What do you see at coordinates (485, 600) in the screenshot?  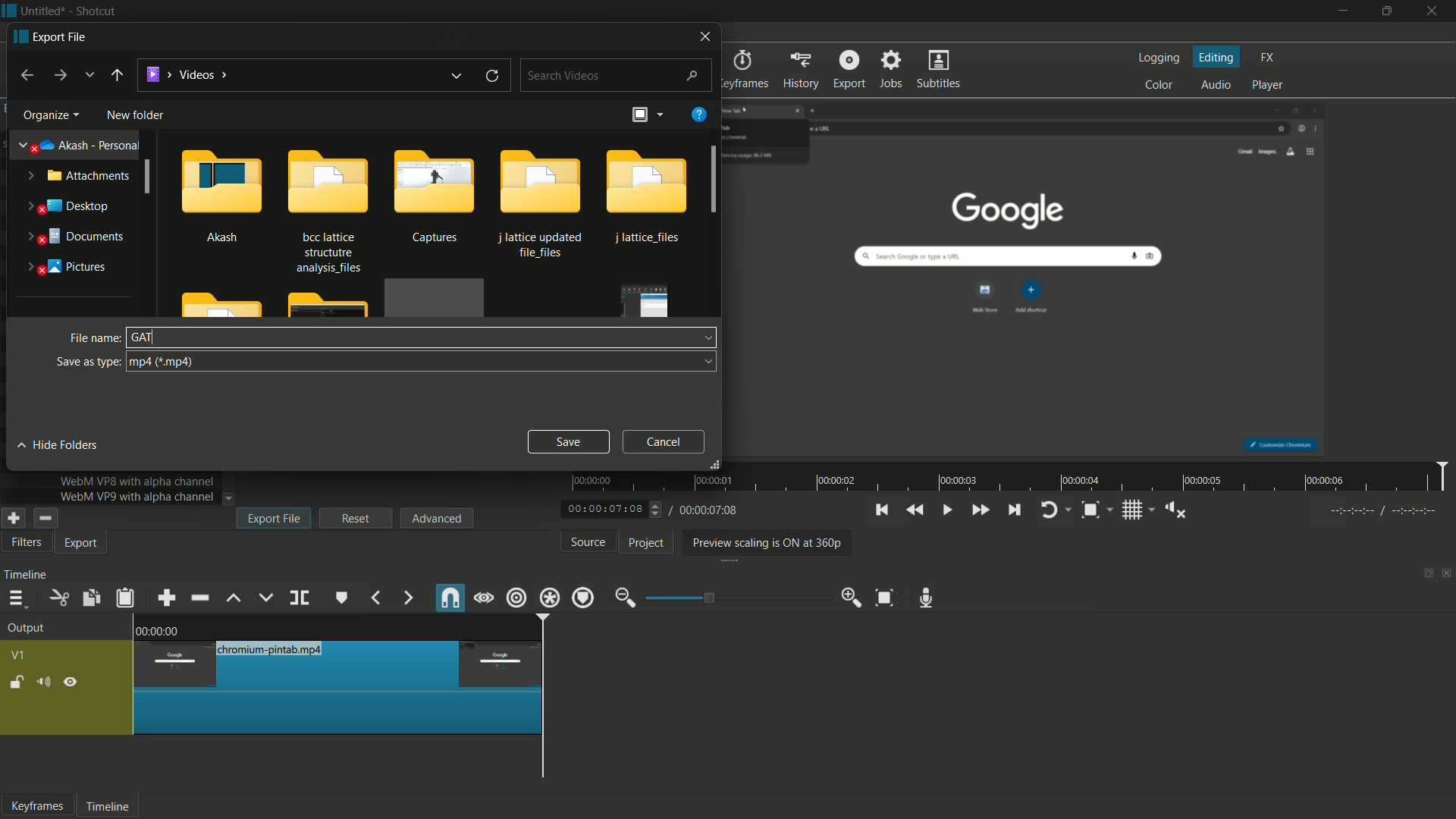 I see `scrub while dragging` at bounding box center [485, 600].